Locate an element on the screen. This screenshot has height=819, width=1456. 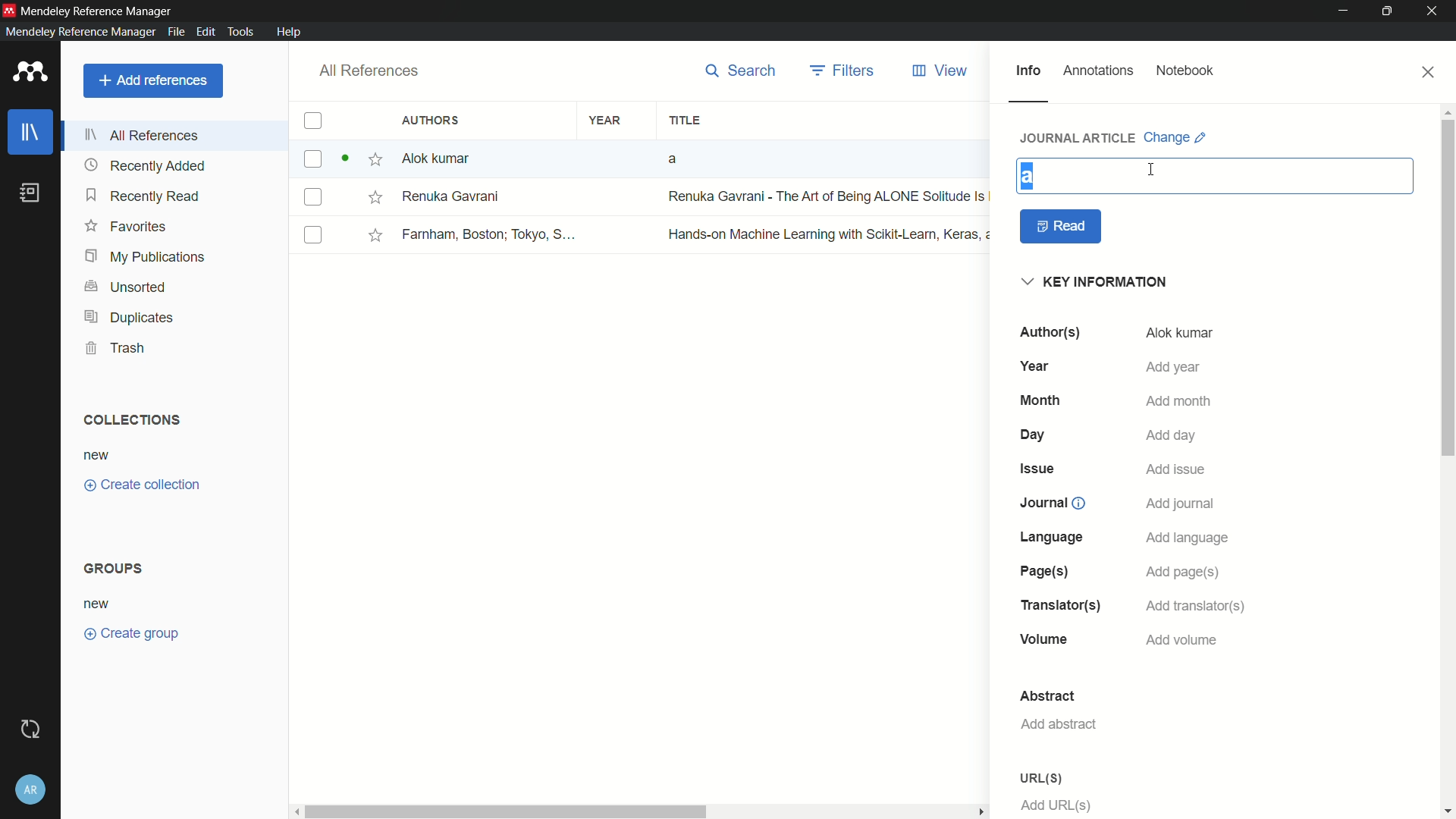
maximize is located at coordinates (1390, 11).